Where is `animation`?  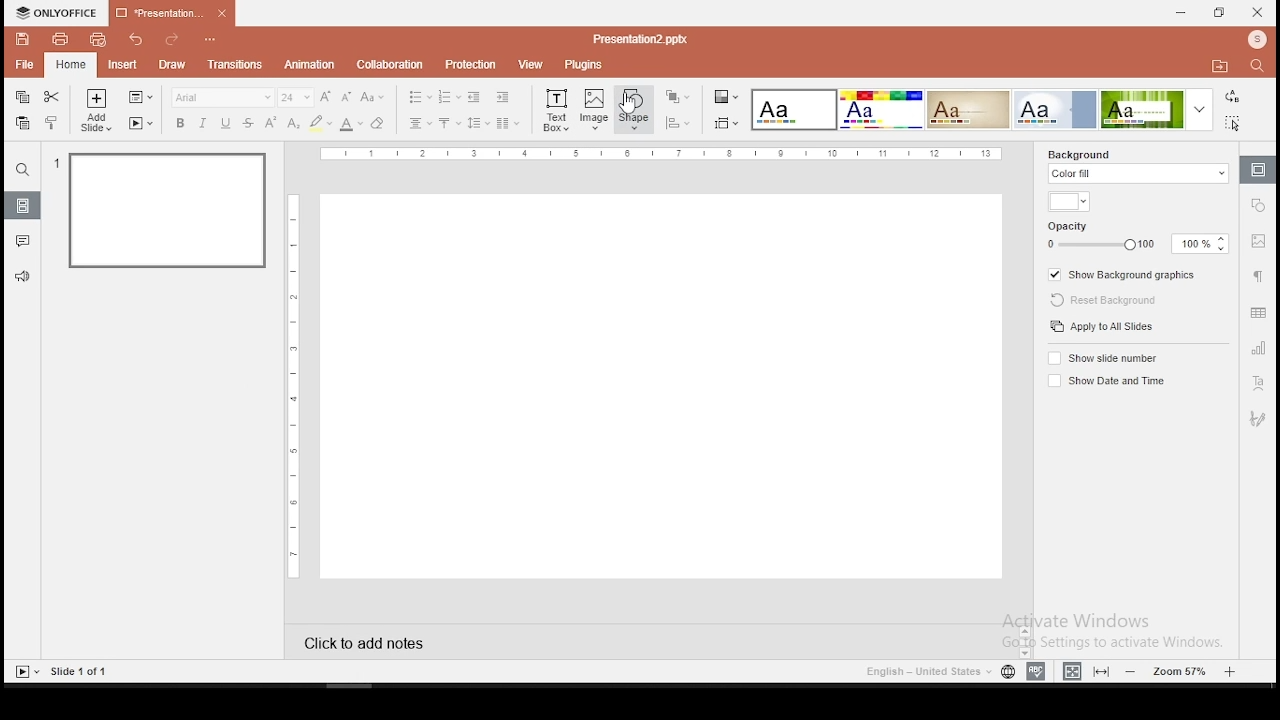
animation is located at coordinates (312, 65).